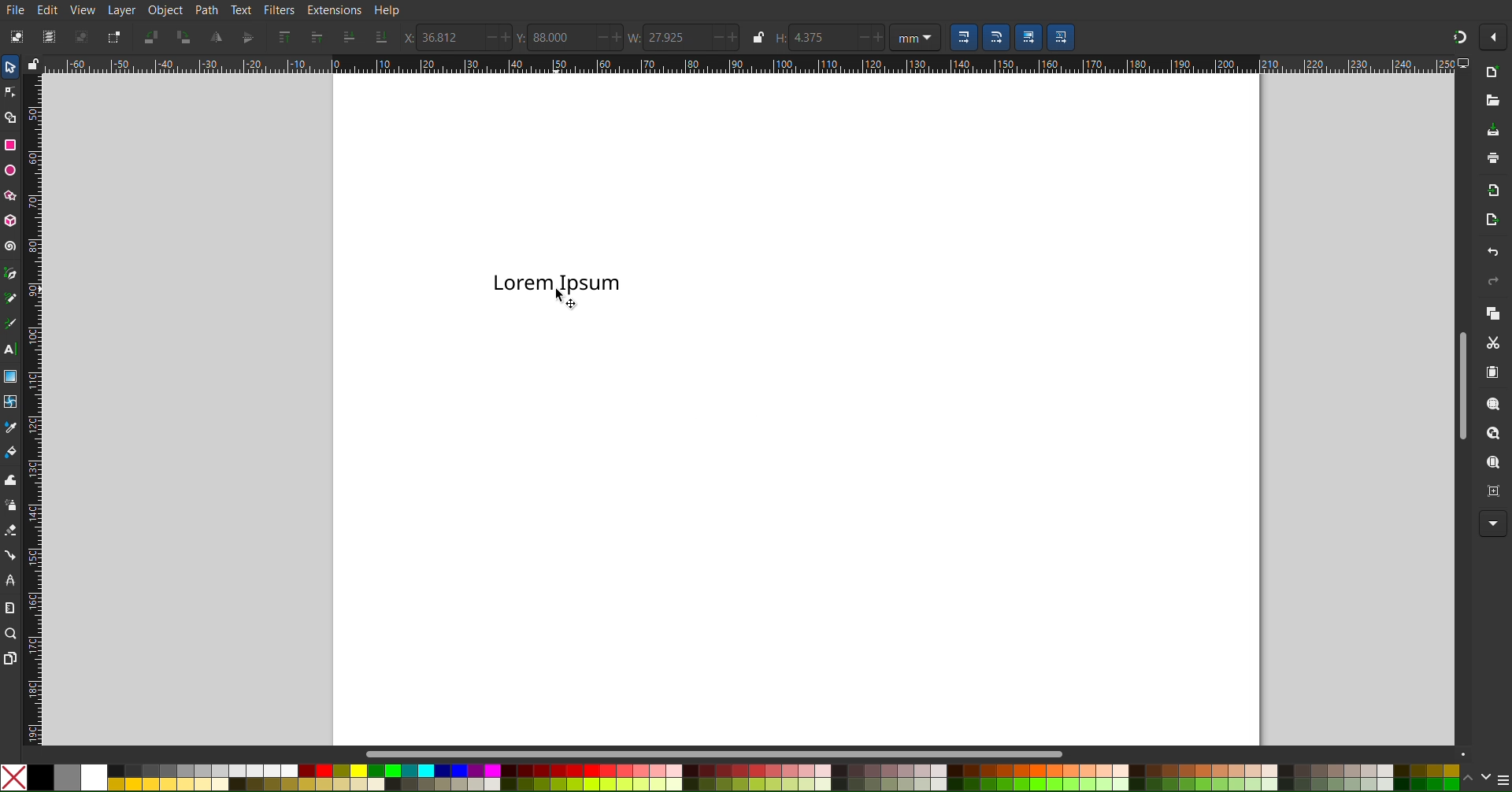  Describe the element at coordinates (217, 37) in the screenshot. I see `Mirror horizontally` at that location.